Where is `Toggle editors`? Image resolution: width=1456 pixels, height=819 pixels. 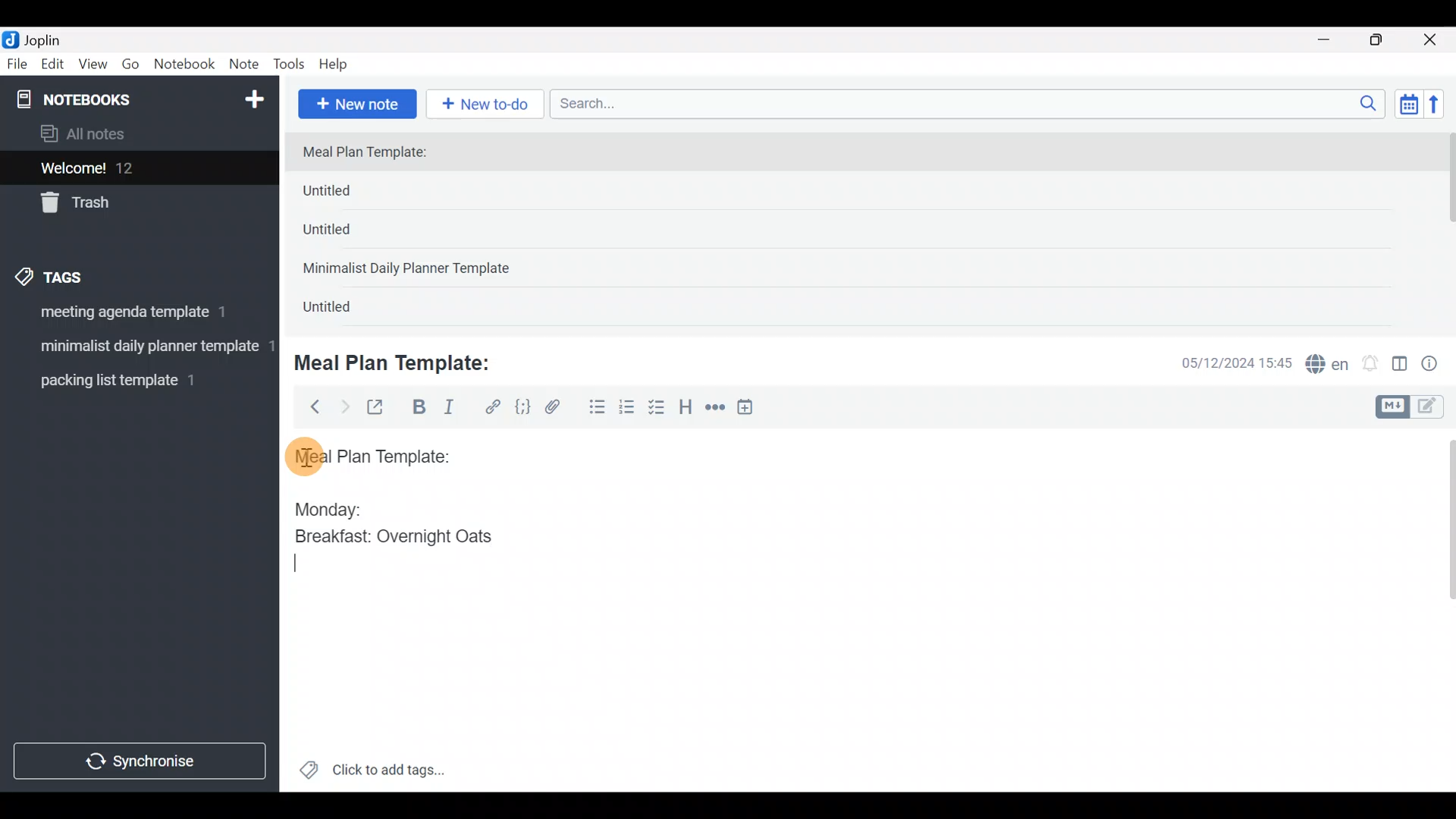
Toggle editors is located at coordinates (1414, 405).